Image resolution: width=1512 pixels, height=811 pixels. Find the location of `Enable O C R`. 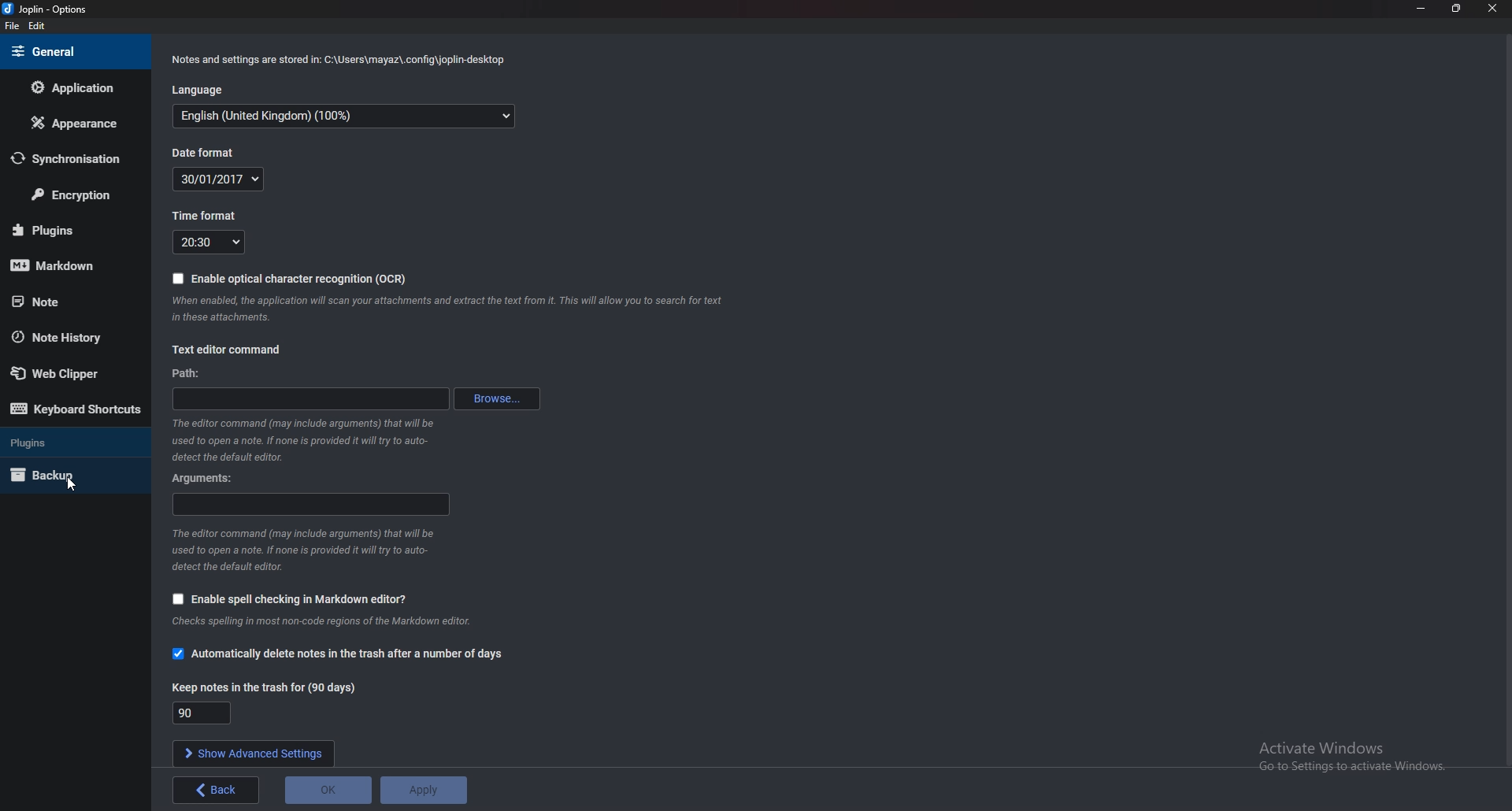

Enable O C R is located at coordinates (295, 279).